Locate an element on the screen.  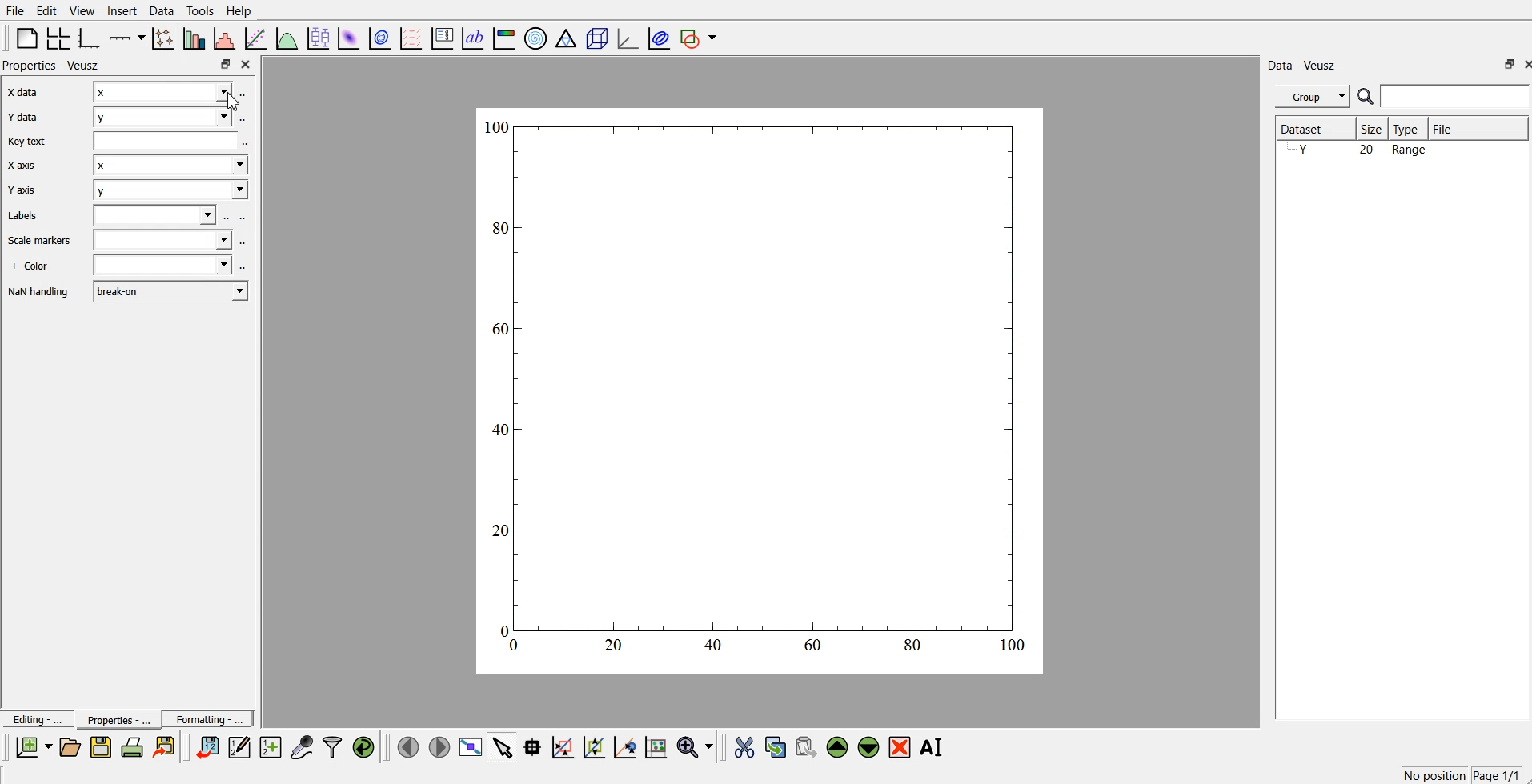
Cut is located at coordinates (744, 746).